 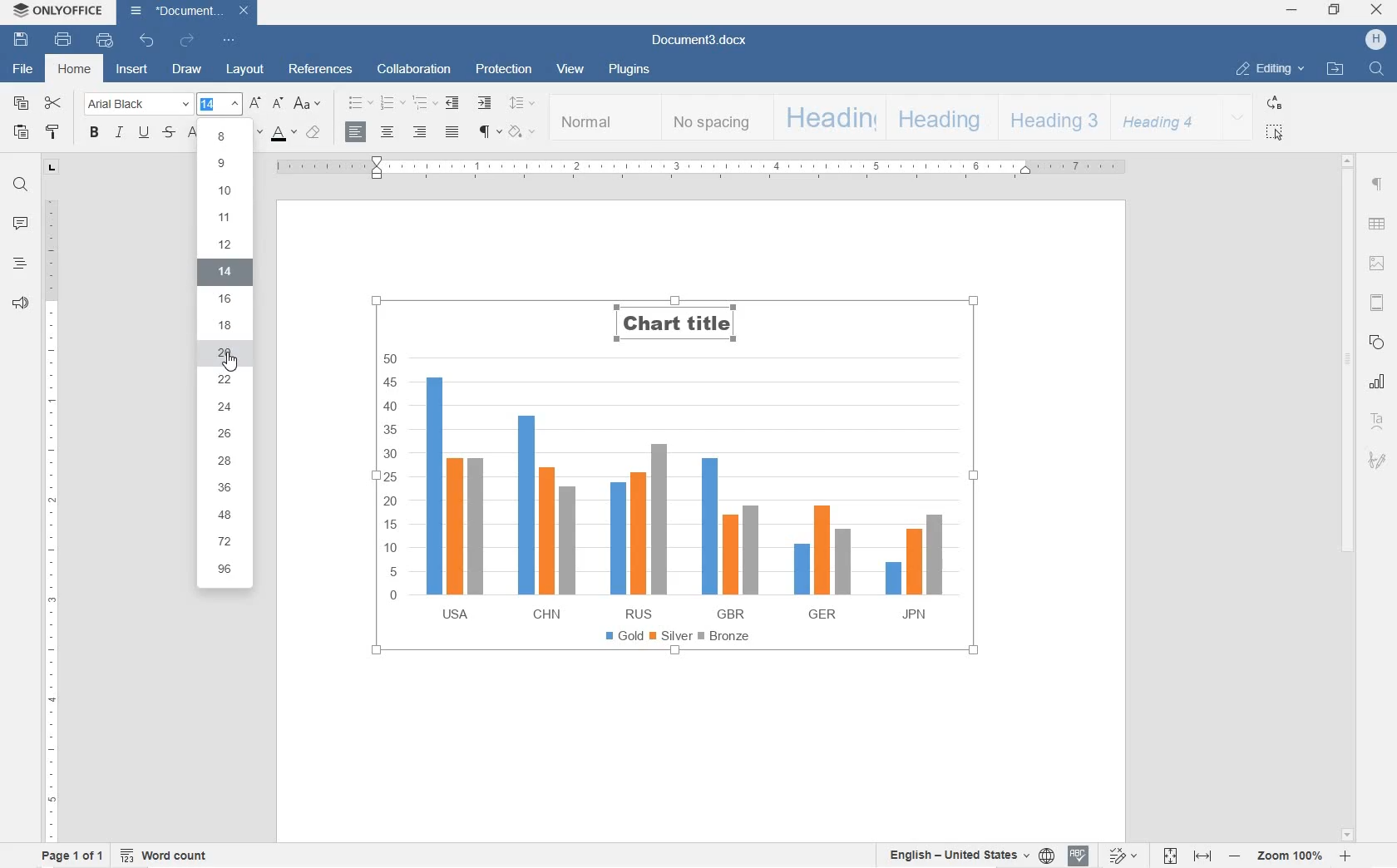 What do you see at coordinates (55, 103) in the screenshot?
I see `CUT` at bounding box center [55, 103].